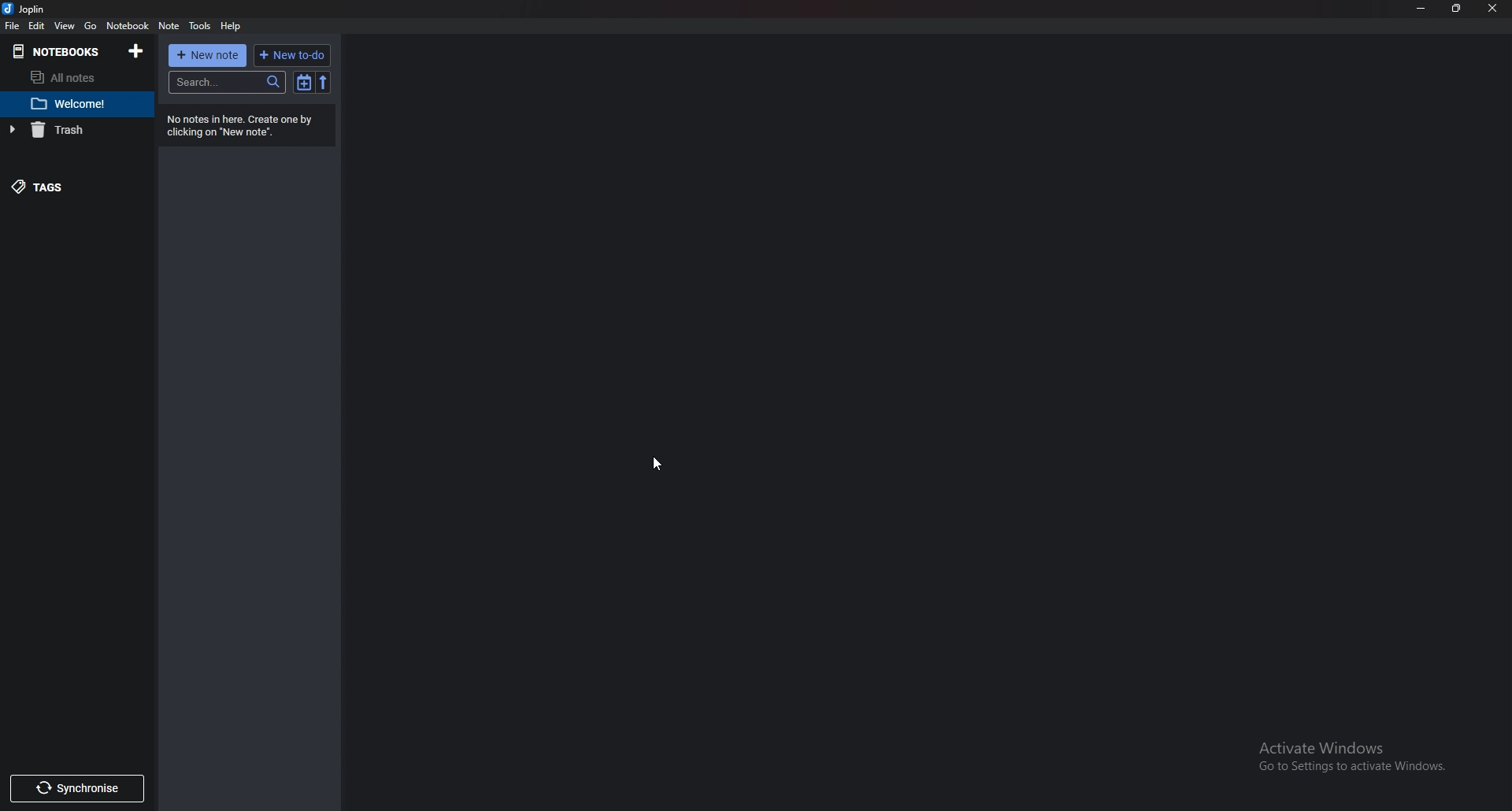 The image size is (1512, 811). What do you see at coordinates (26, 9) in the screenshot?
I see `joplin` at bounding box center [26, 9].